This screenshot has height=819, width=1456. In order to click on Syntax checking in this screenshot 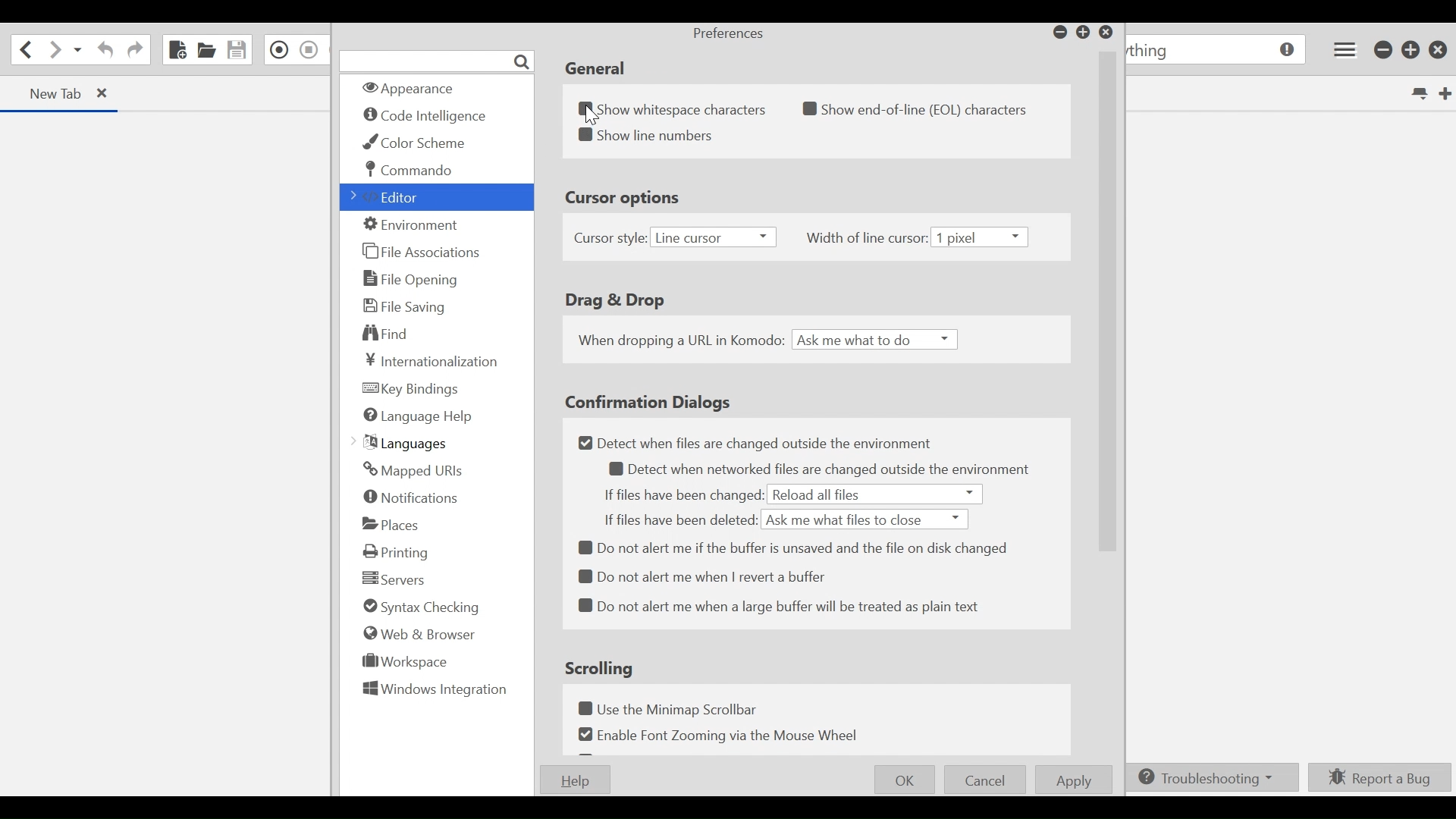, I will do `click(418, 607)`.